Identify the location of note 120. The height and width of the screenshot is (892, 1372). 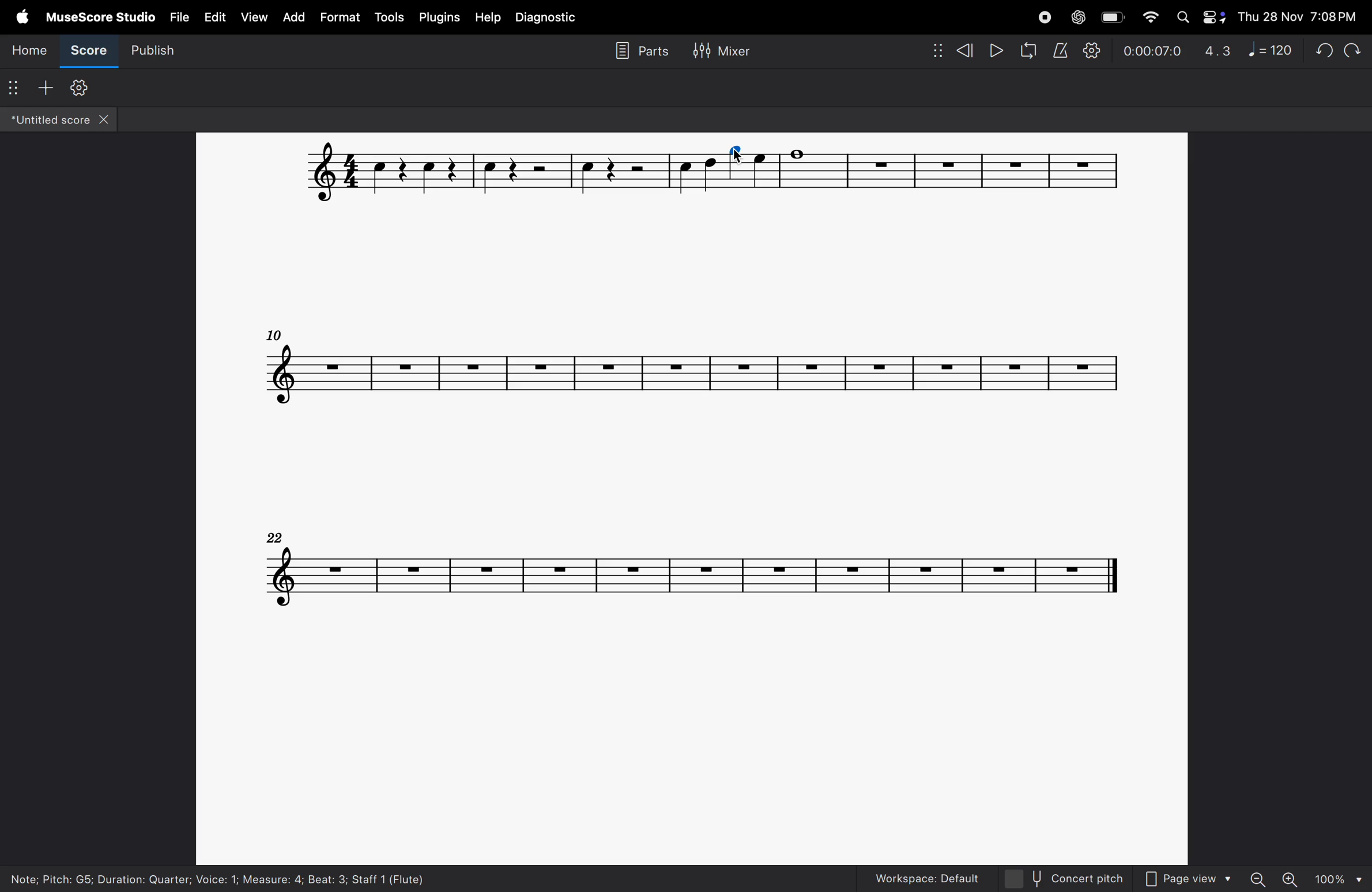
(1271, 48).